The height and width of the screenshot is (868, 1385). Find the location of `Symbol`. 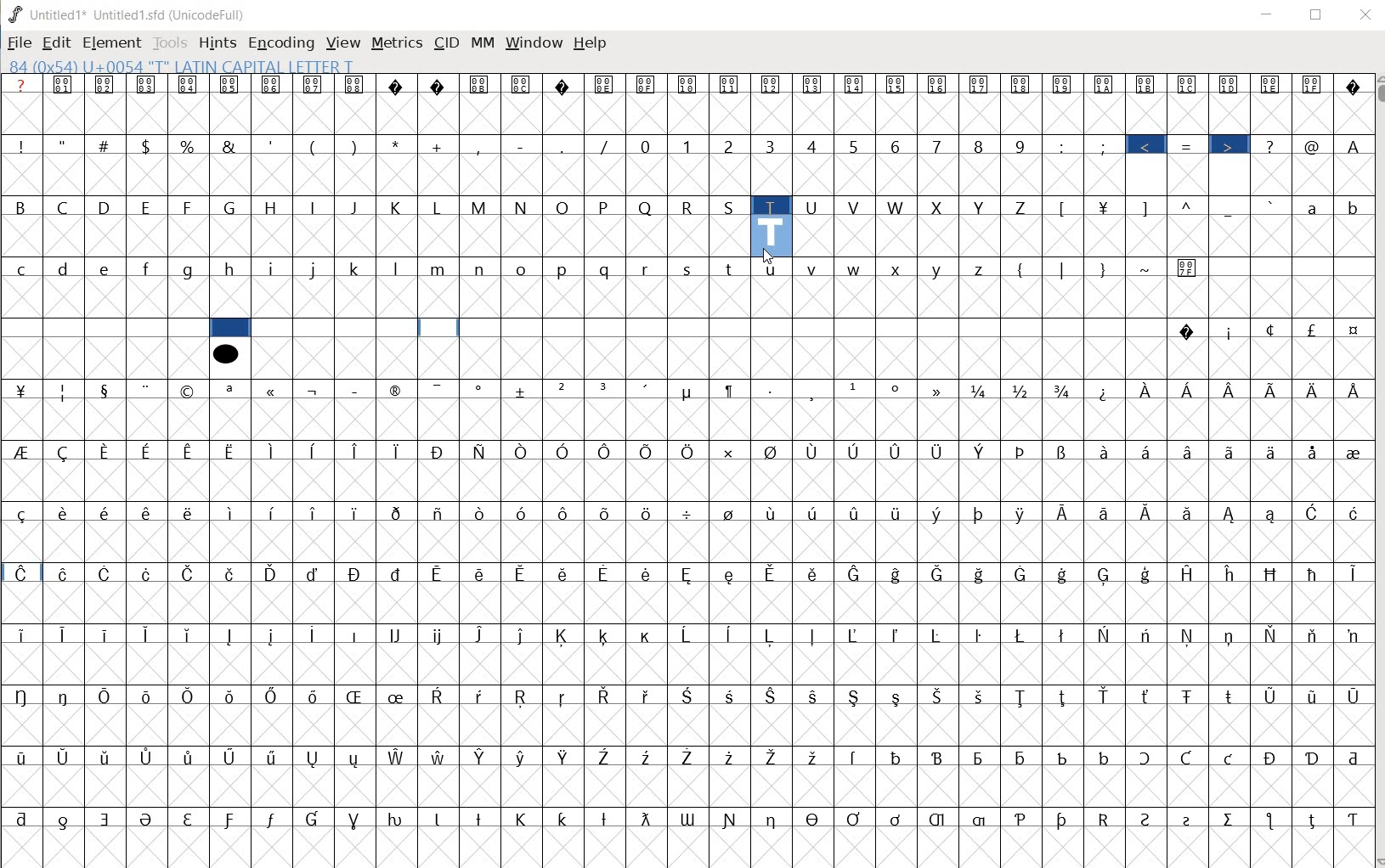

Symbol is located at coordinates (1192, 817).